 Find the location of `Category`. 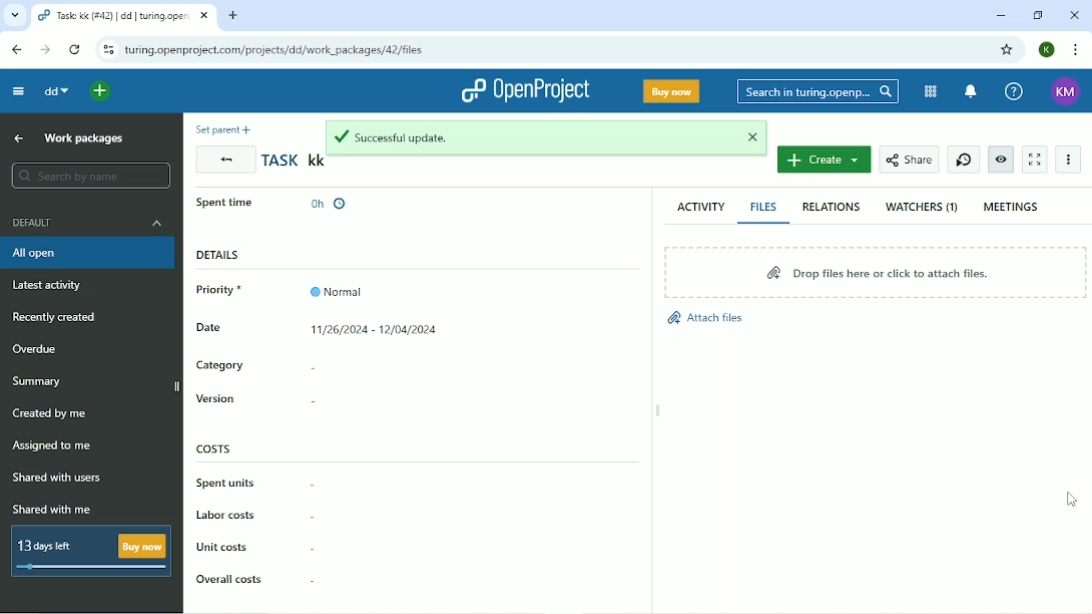

Category is located at coordinates (258, 366).